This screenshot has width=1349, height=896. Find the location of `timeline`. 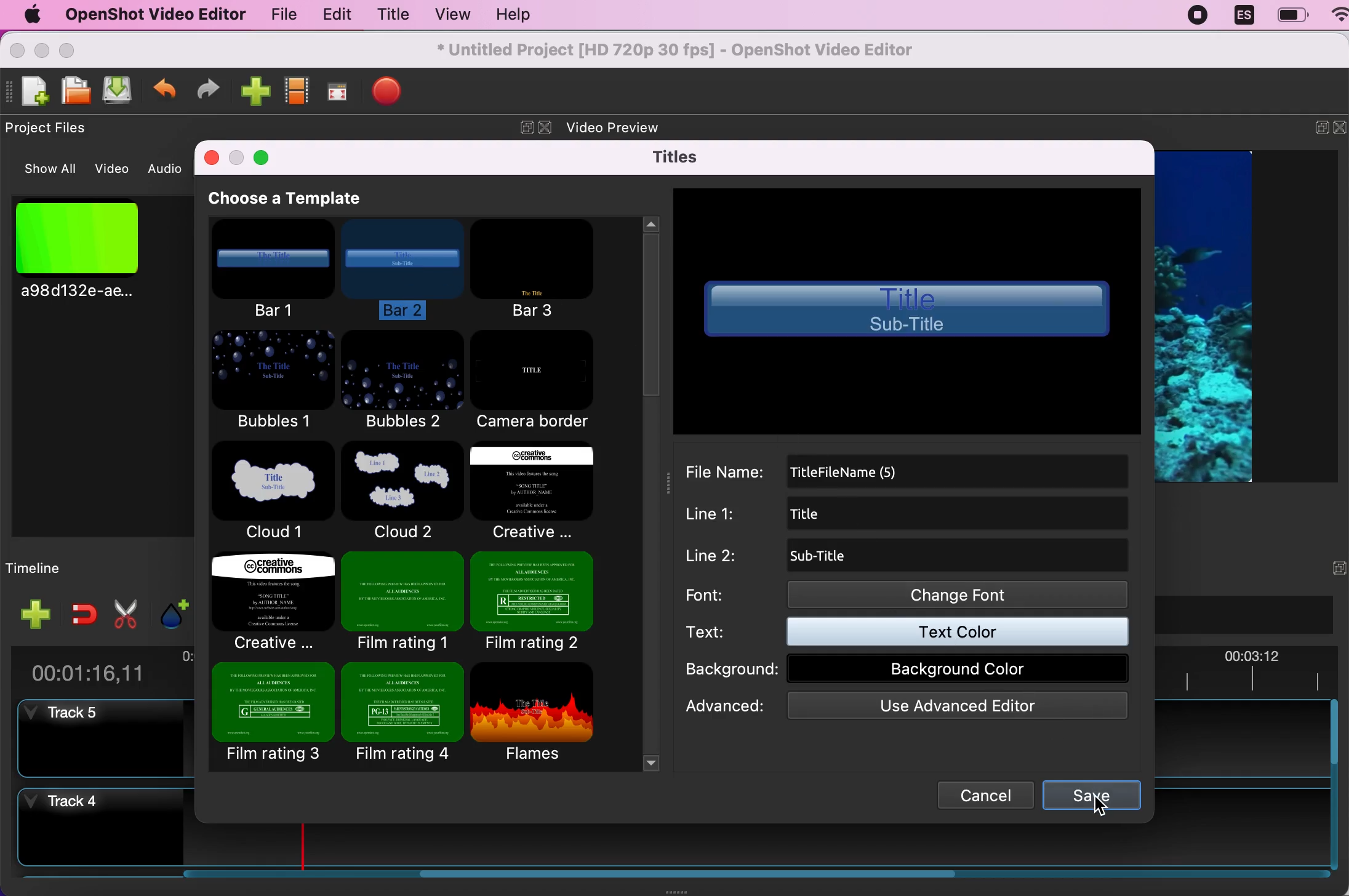

timeline is located at coordinates (66, 567).